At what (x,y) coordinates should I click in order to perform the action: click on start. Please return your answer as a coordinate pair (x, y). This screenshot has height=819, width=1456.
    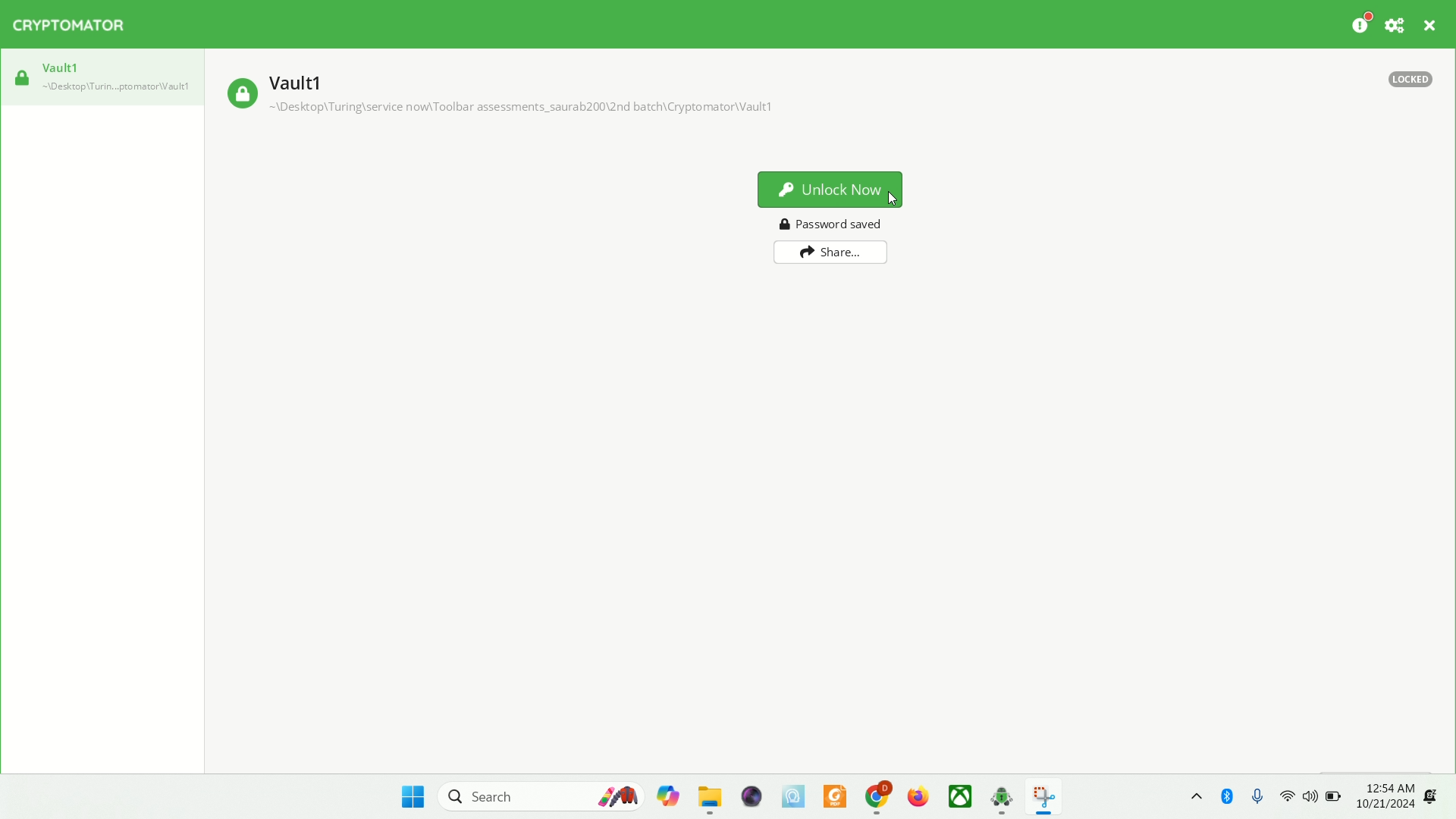
    Looking at the image, I should click on (412, 795).